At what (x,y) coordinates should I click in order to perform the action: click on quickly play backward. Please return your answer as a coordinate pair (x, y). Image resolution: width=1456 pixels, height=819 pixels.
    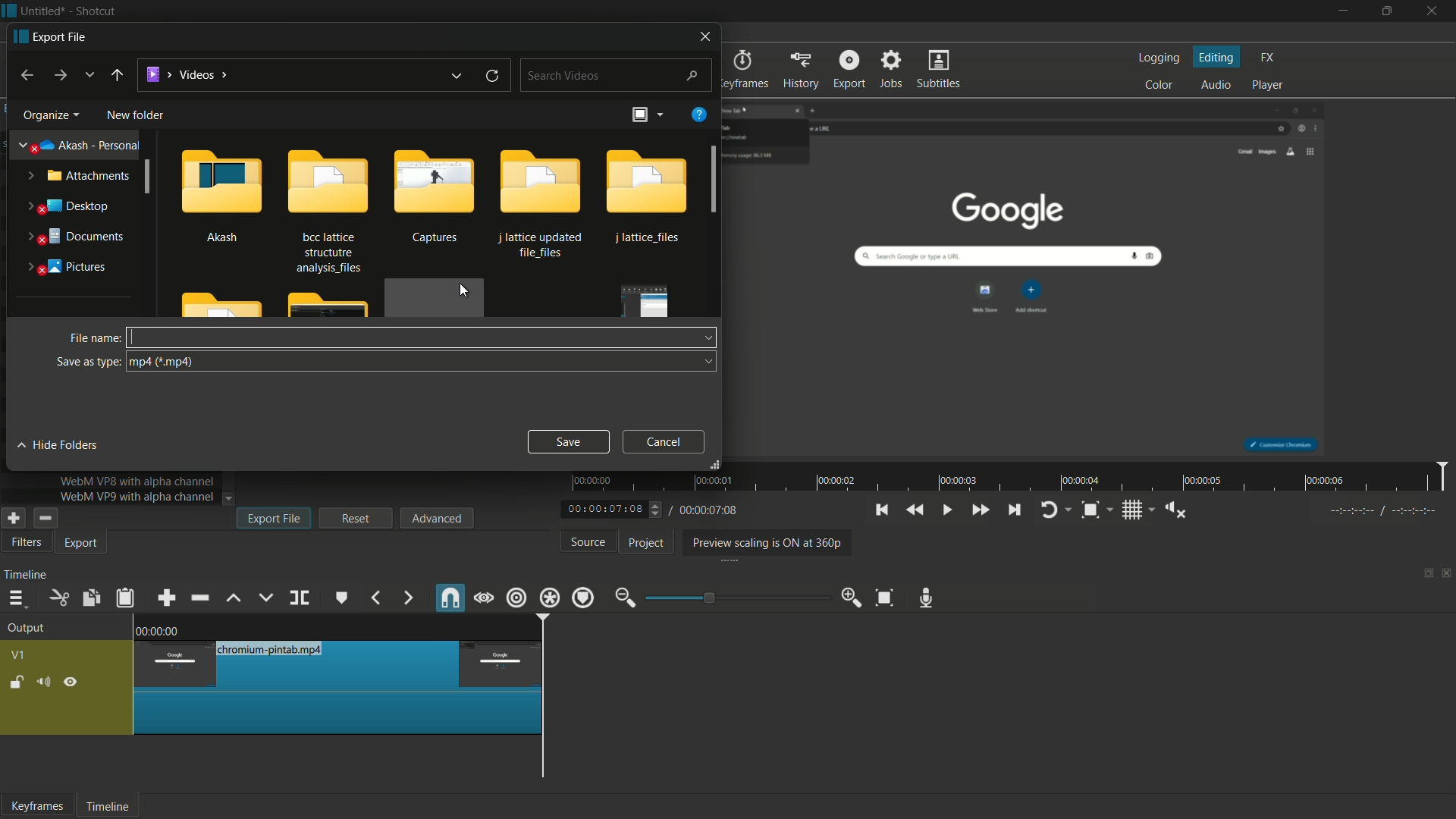
    Looking at the image, I should click on (914, 509).